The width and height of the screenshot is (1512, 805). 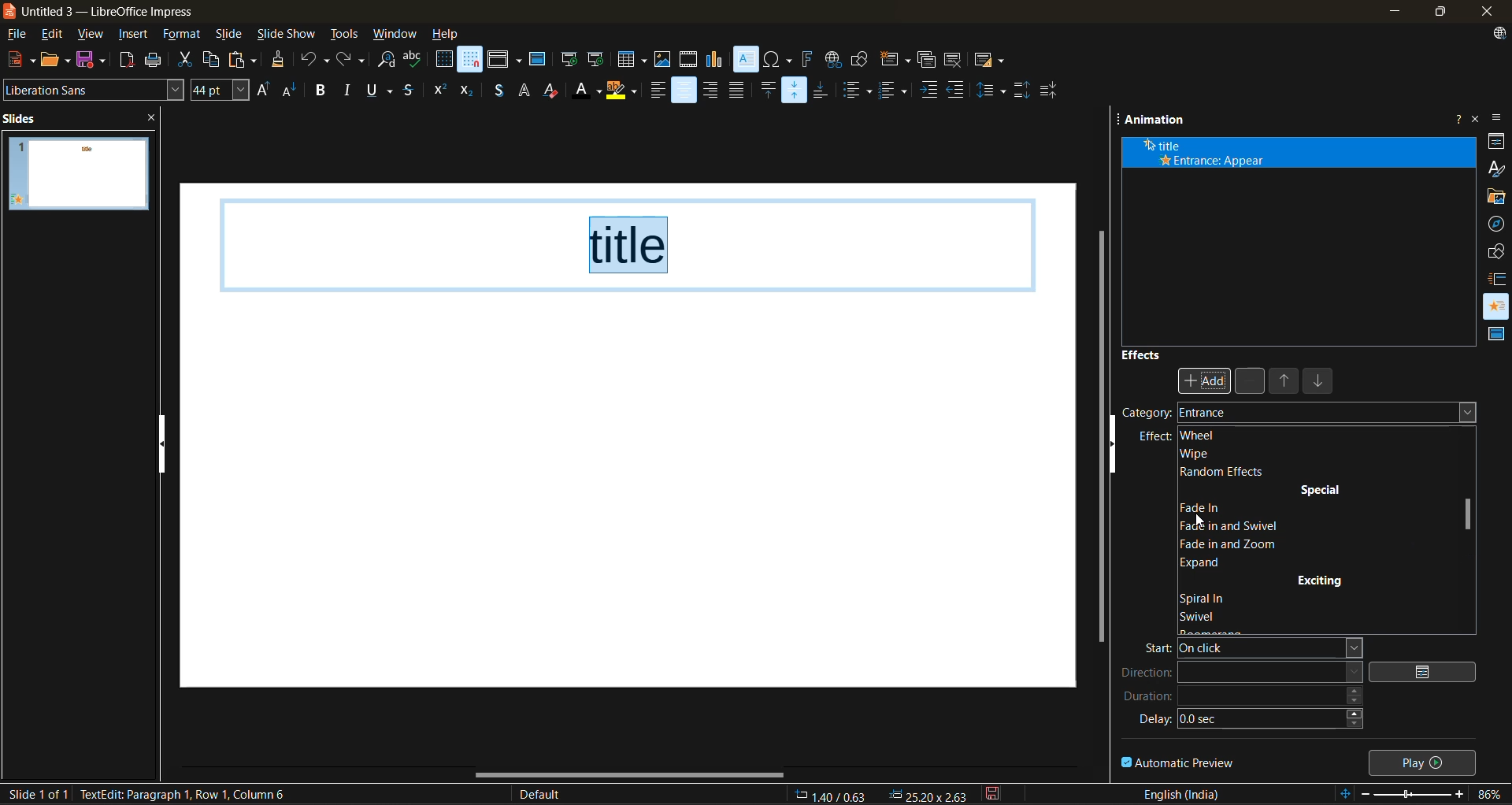 I want to click on insert fontwork text, so click(x=807, y=59).